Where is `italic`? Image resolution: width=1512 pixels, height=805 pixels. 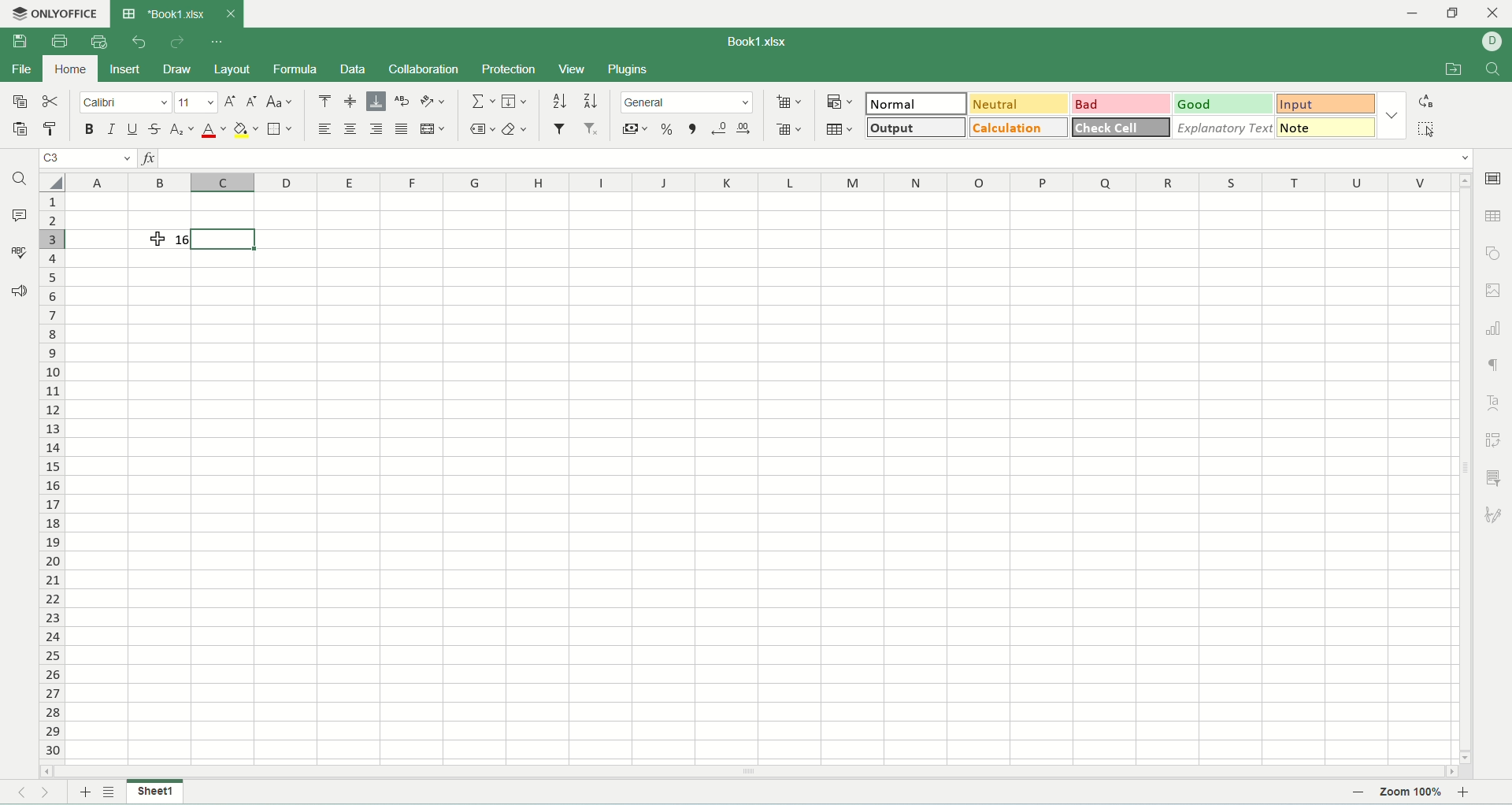
italic is located at coordinates (111, 130).